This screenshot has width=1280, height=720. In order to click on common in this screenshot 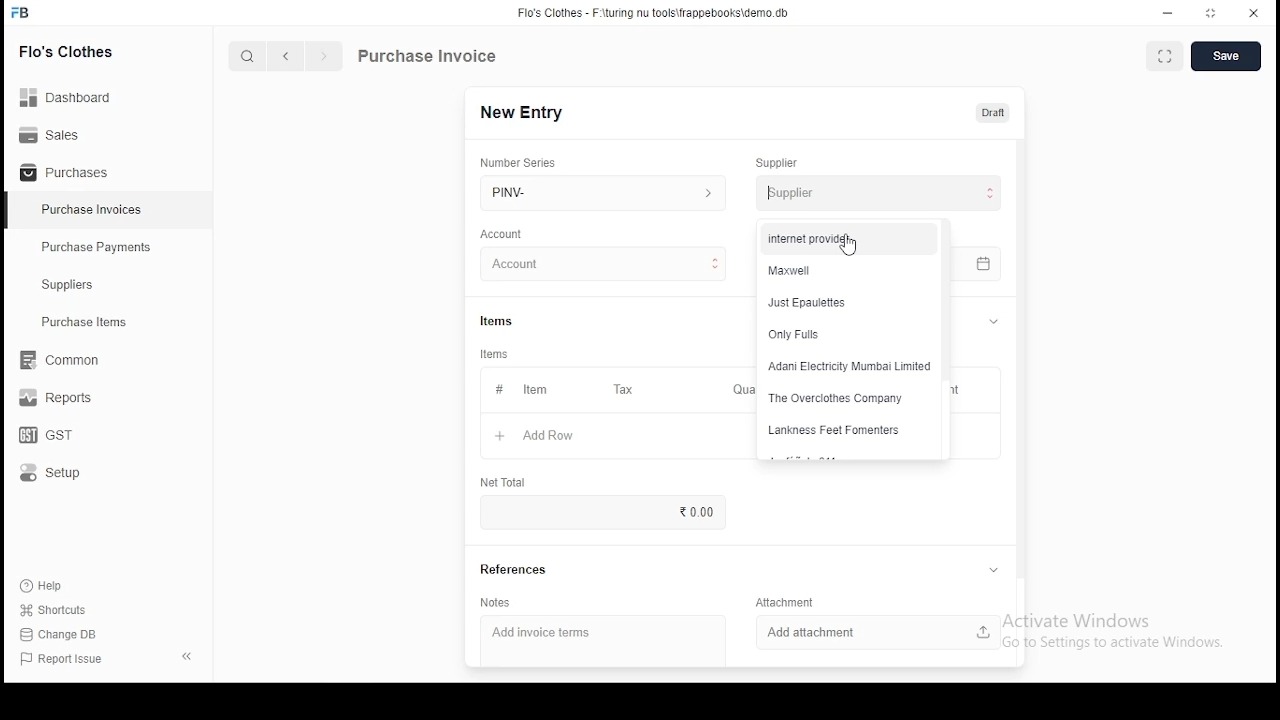, I will do `click(65, 360)`.